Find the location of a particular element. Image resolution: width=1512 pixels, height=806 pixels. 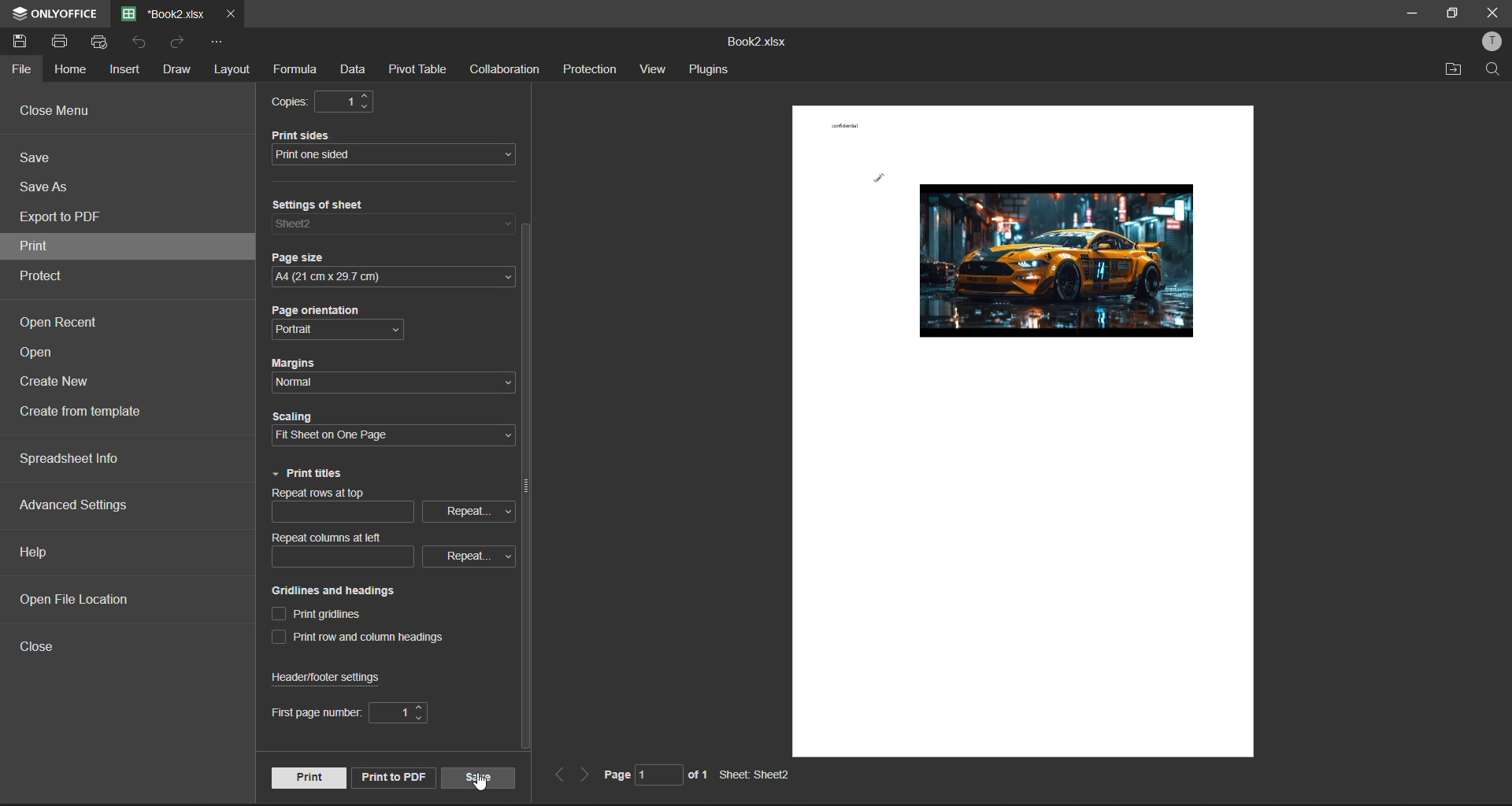

data is located at coordinates (353, 72).